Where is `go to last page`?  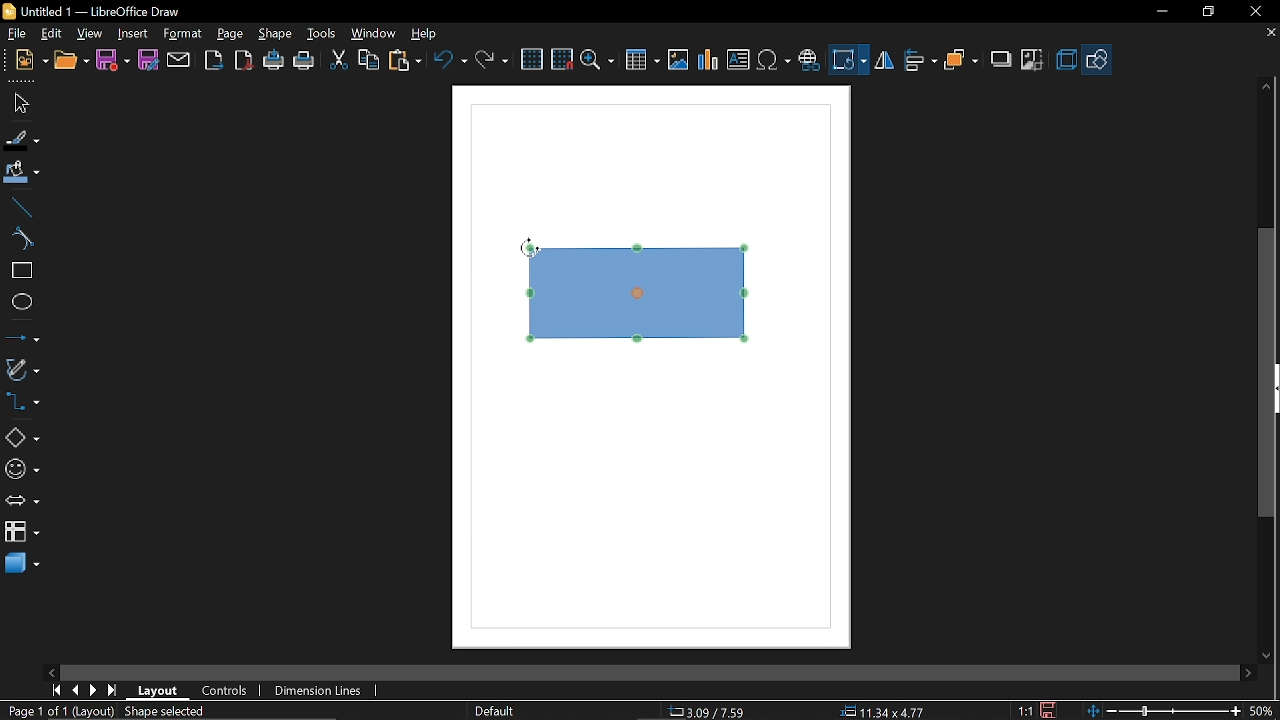
go to last page is located at coordinates (114, 691).